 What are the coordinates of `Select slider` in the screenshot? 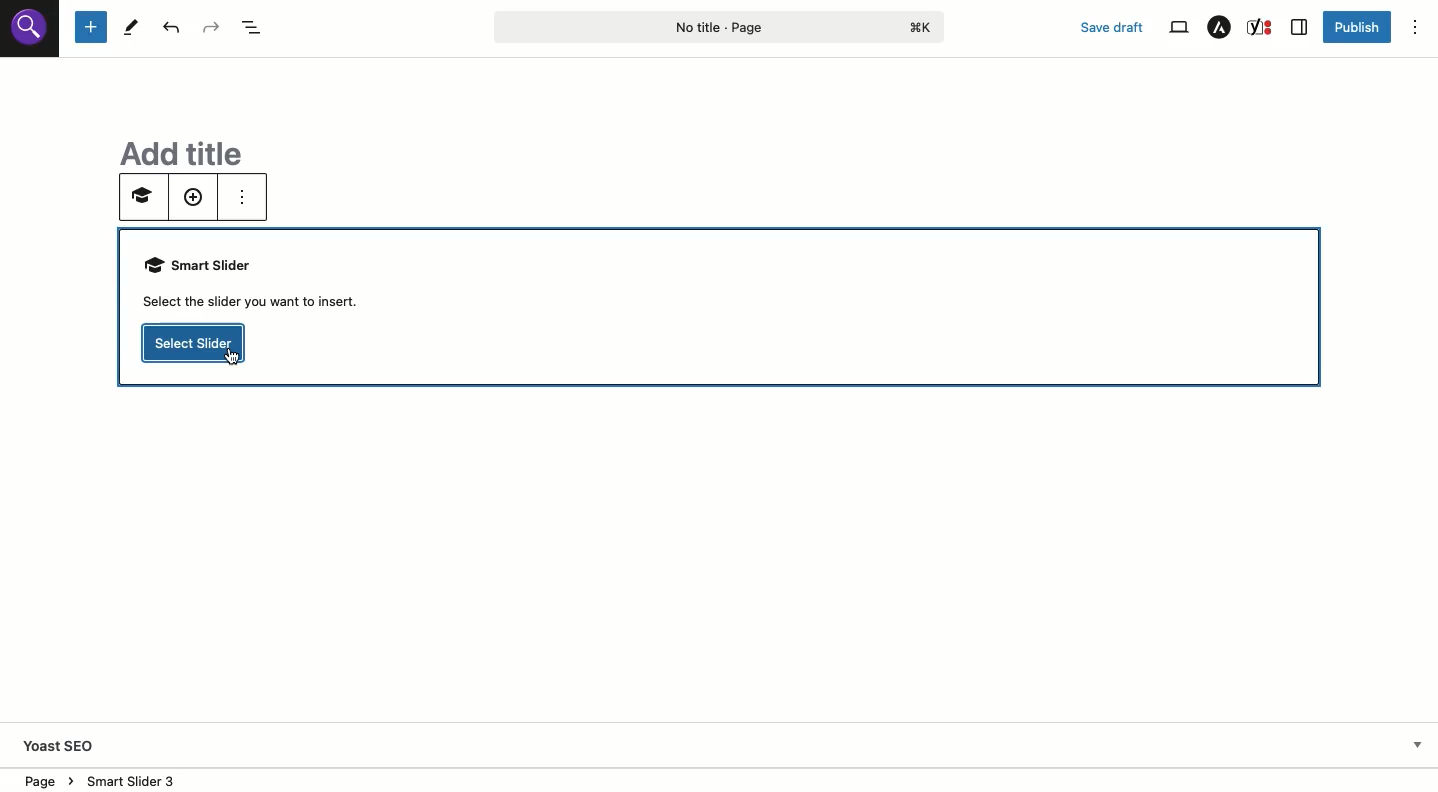 It's located at (195, 344).